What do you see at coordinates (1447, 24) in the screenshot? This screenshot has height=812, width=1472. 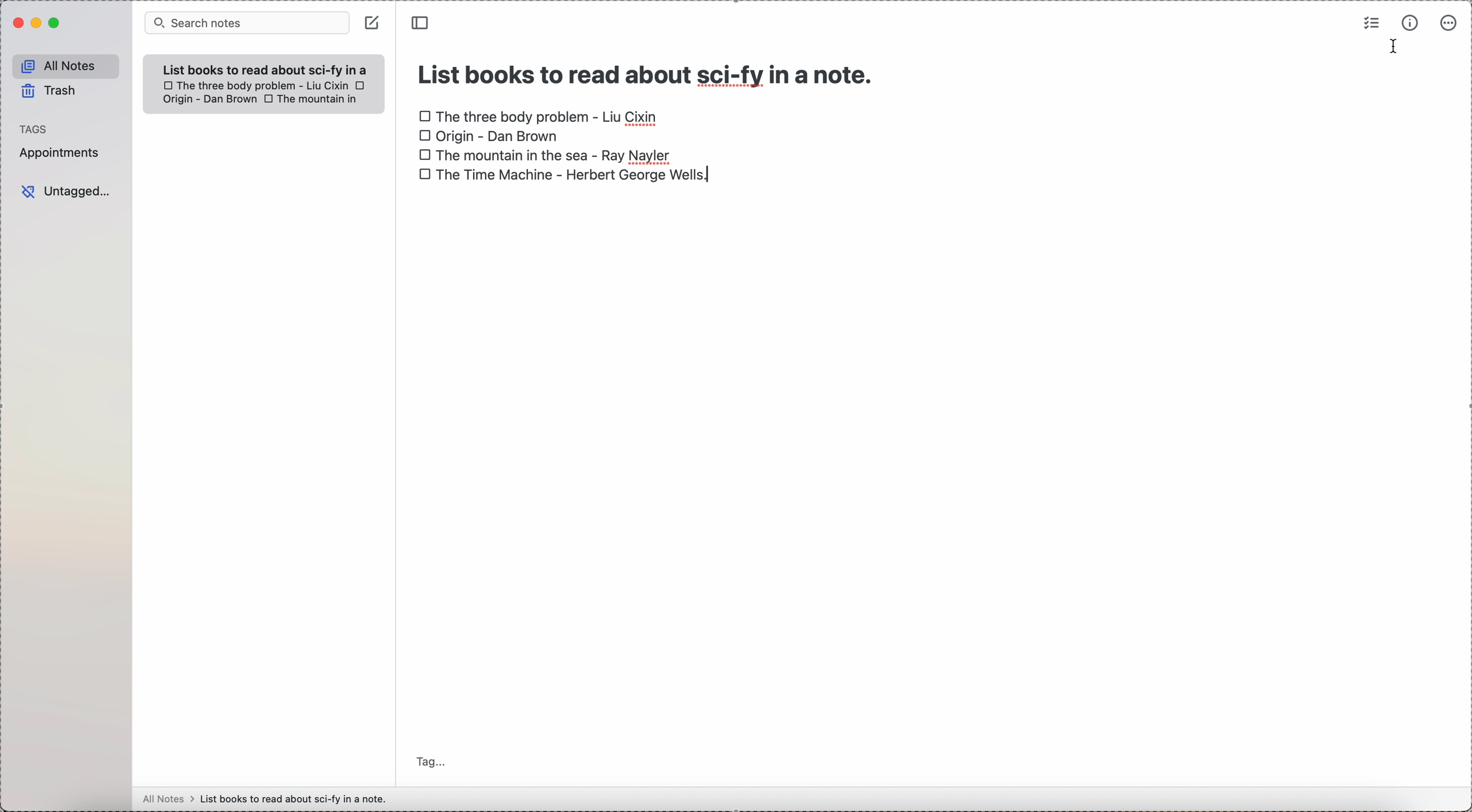 I see `more options` at bounding box center [1447, 24].